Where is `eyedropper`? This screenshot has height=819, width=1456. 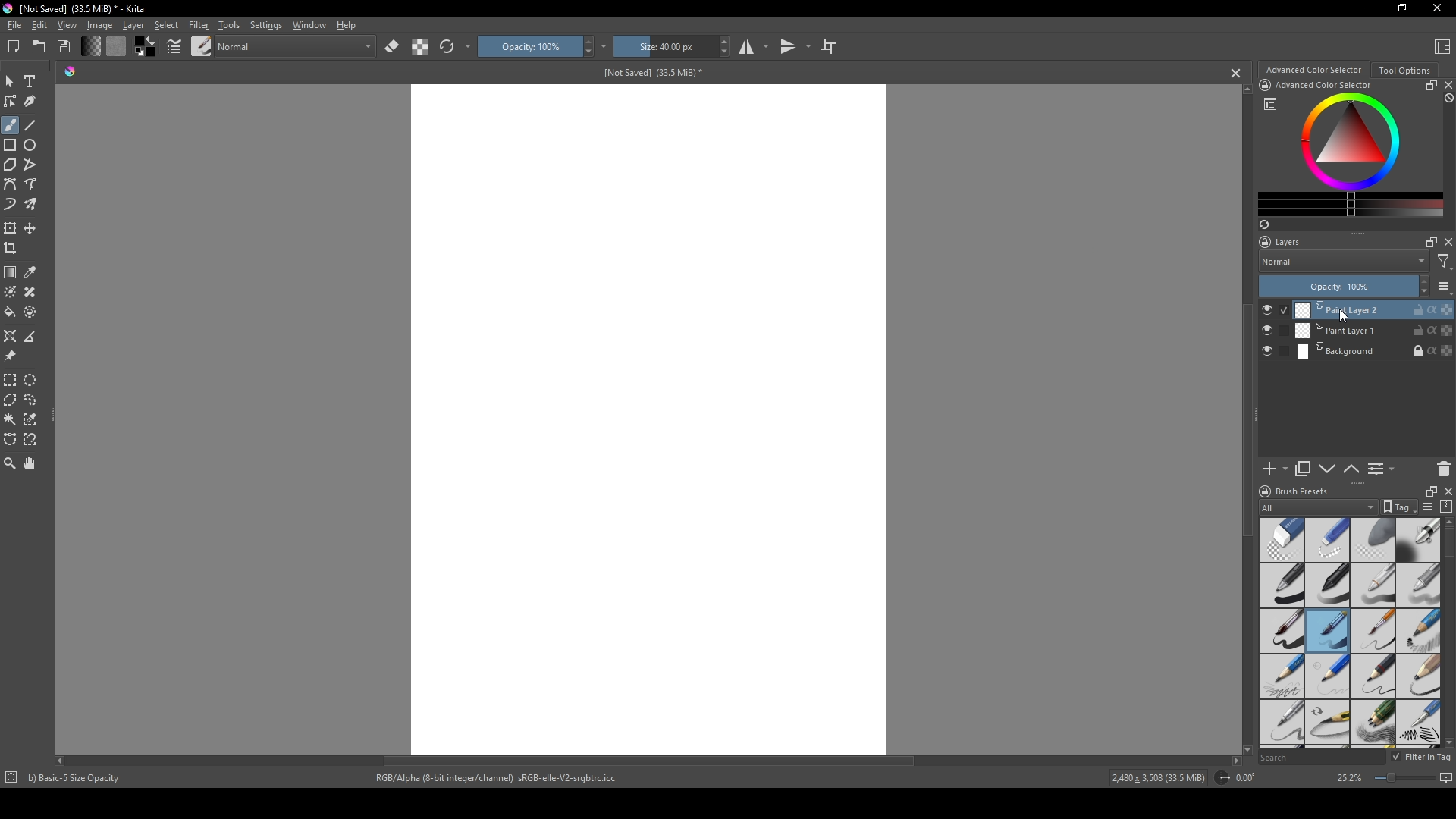 eyedropper is located at coordinates (32, 272).